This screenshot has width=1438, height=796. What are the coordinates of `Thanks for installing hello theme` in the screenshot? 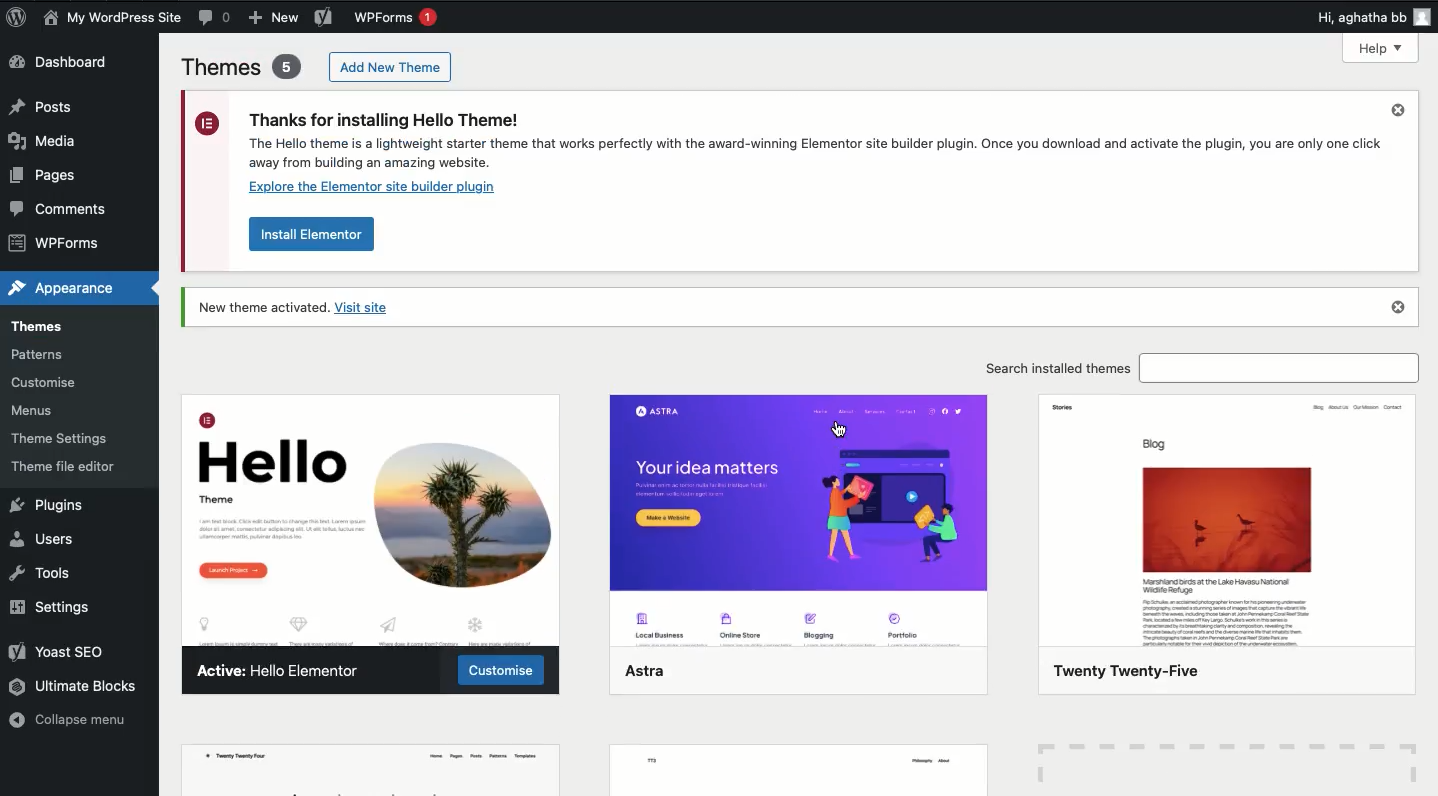 It's located at (783, 152).